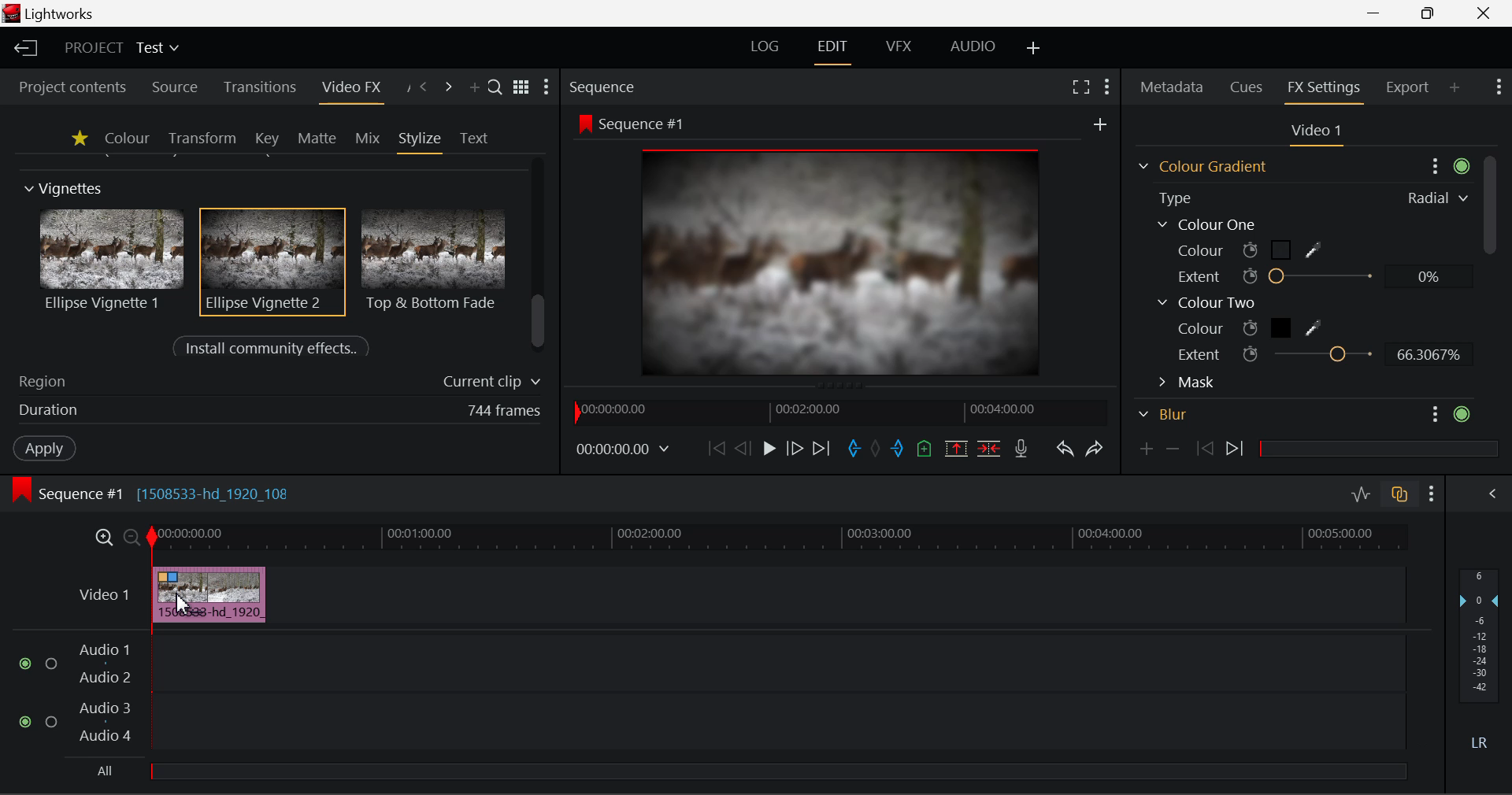 The height and width of the screenshot is (795, 1512). Describe the element at coordinates (276, 412) in the screenshot. I see `Duration` at that location.